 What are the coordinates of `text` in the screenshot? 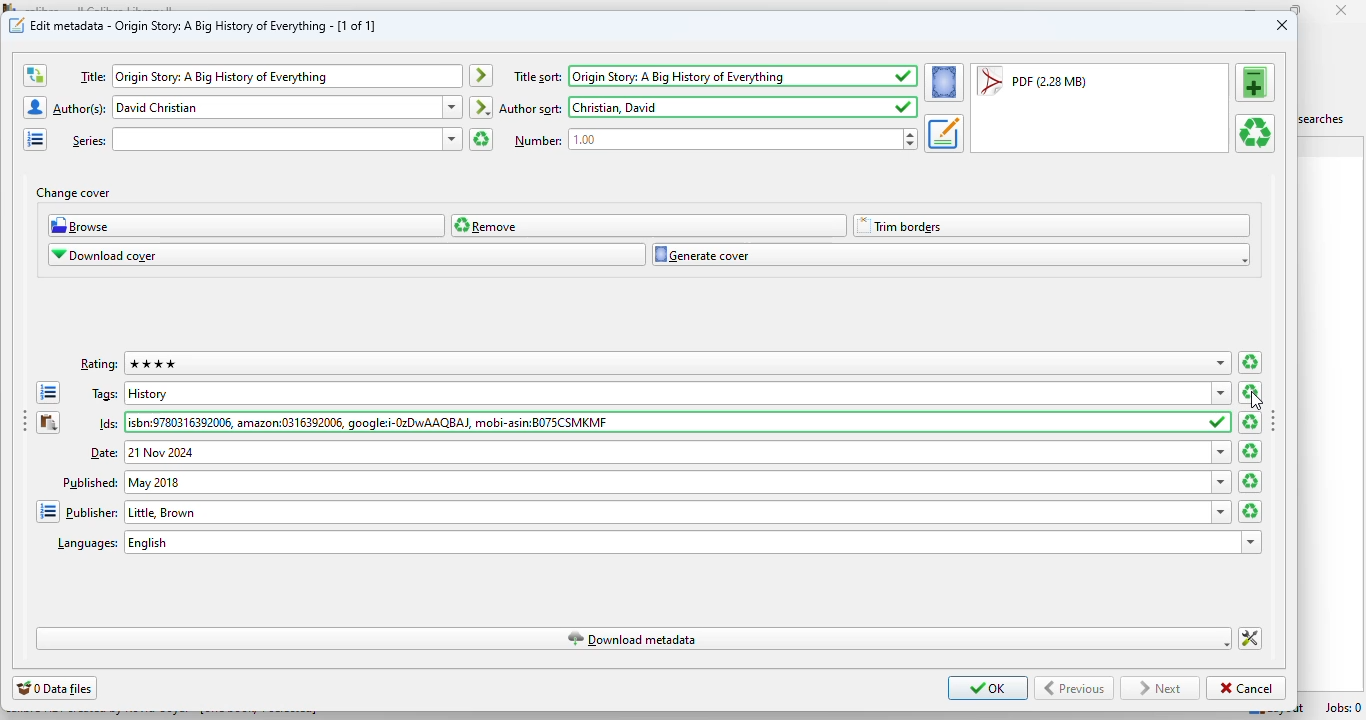 It's located at (532, 109).